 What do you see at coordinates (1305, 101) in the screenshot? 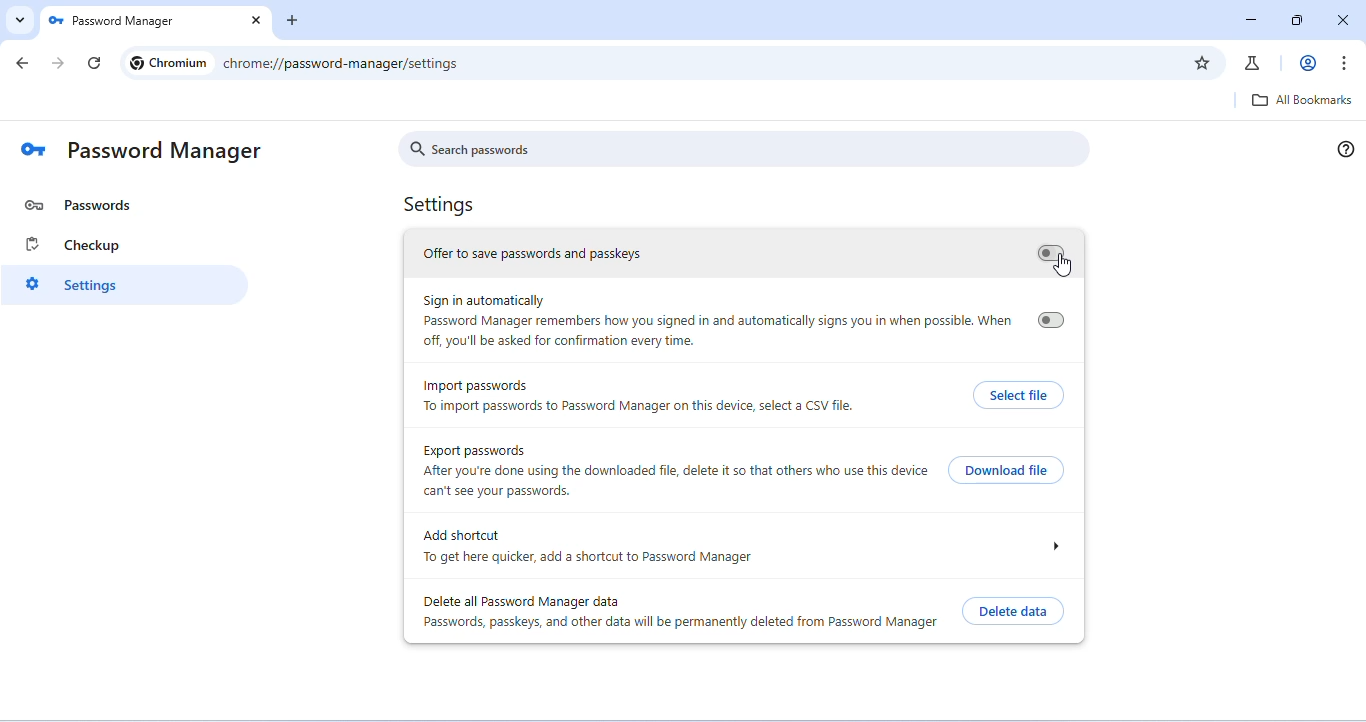
I see `all bookmarks` at bounding box center [1305, 101].